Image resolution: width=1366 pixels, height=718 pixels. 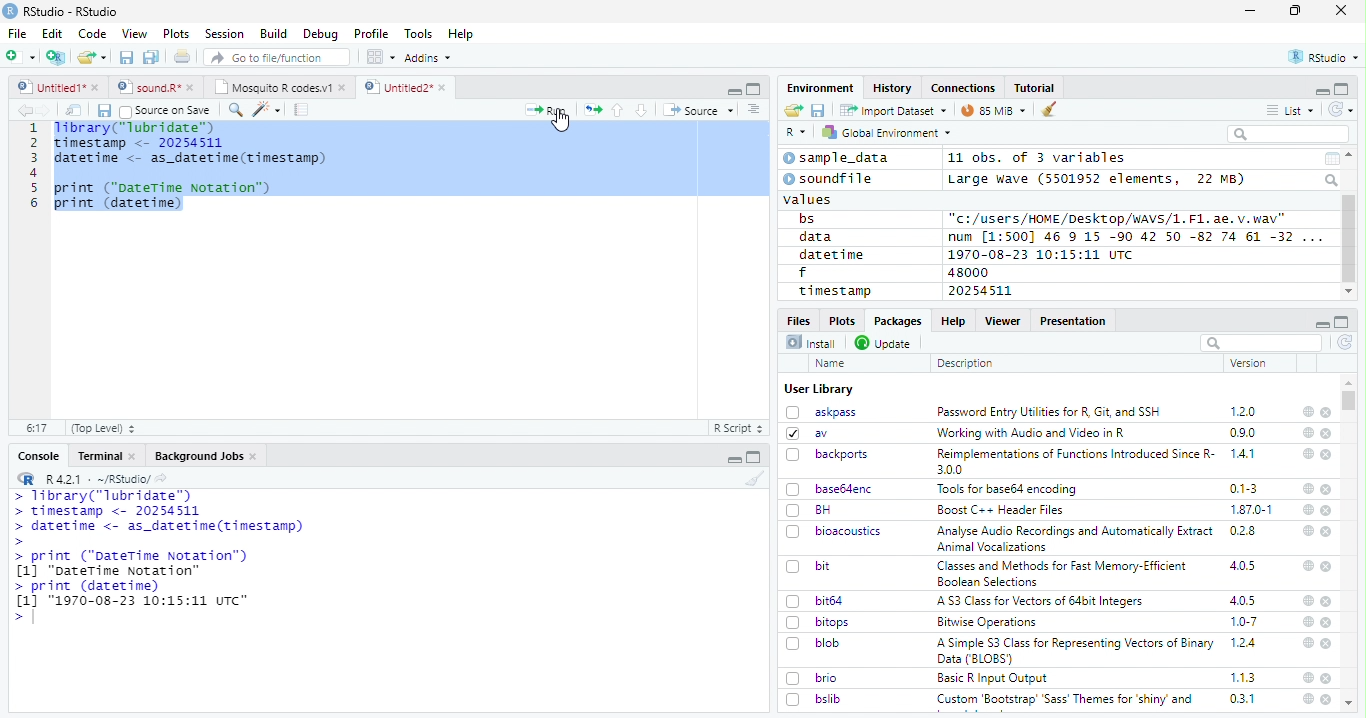 I want to click on 0.1-3, so click(x=1247, y=488).